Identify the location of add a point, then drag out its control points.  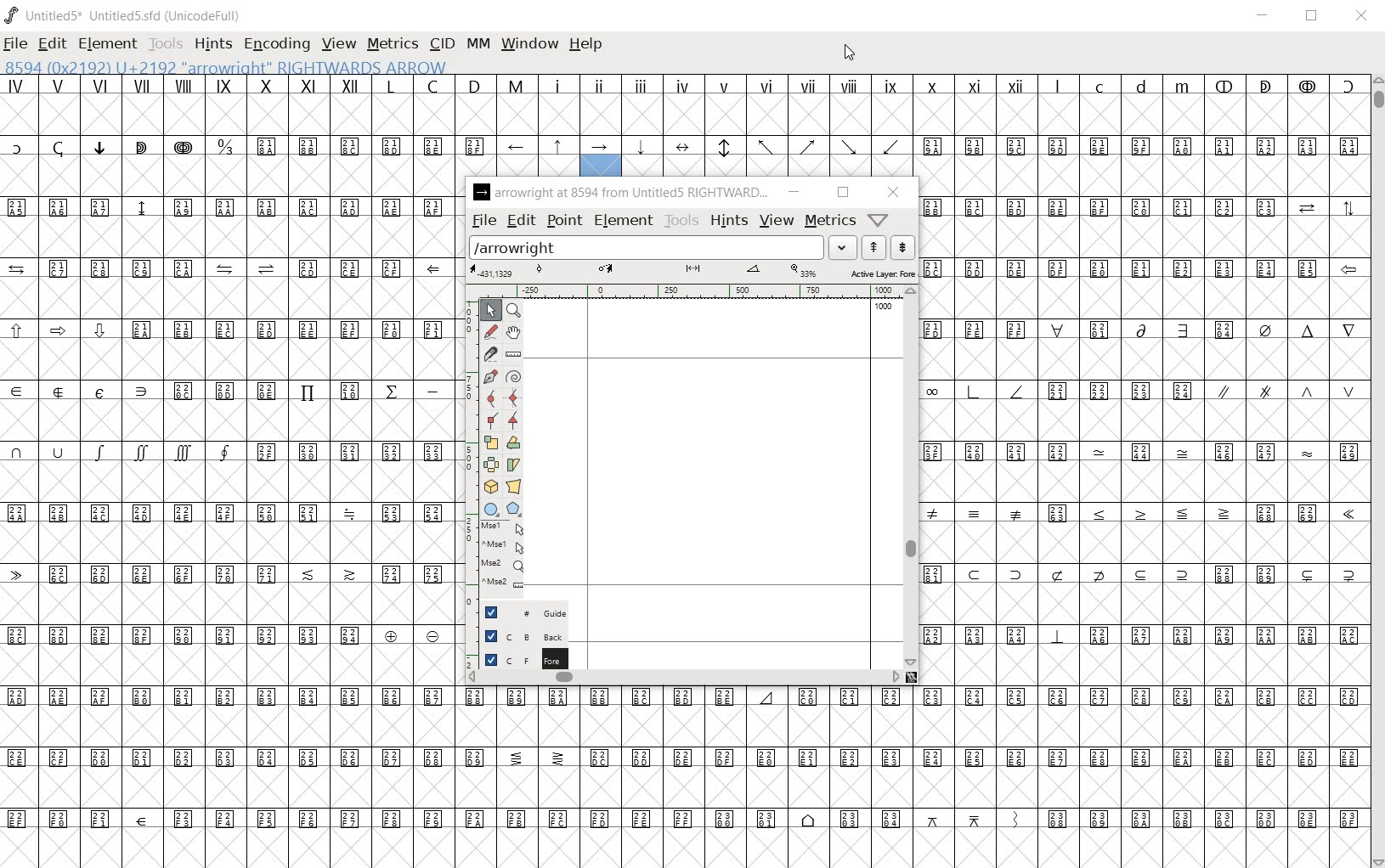
(489, 377).